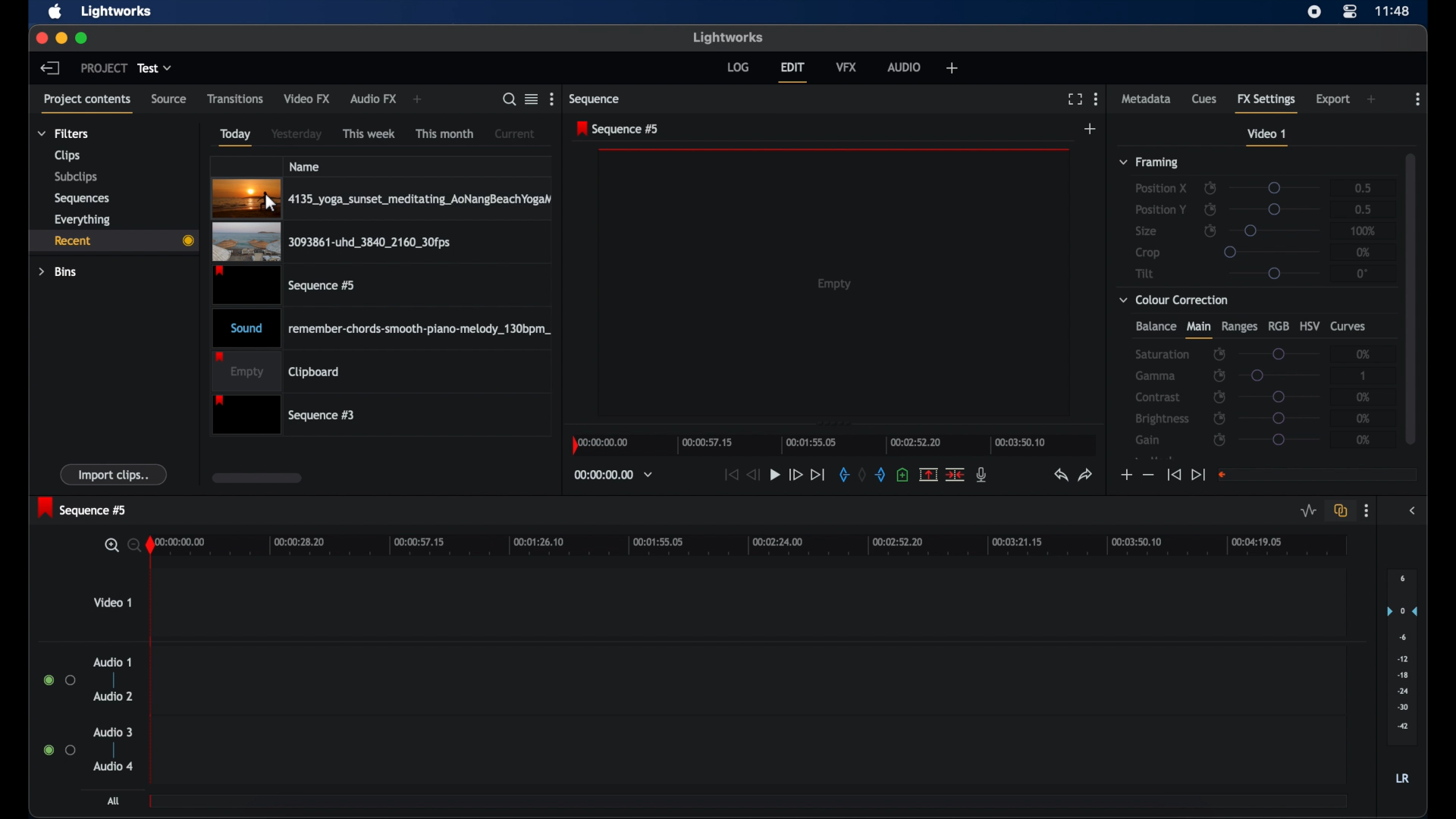 This screenshot has height=819, width=1456. I want to click on split, so click(928, 474).